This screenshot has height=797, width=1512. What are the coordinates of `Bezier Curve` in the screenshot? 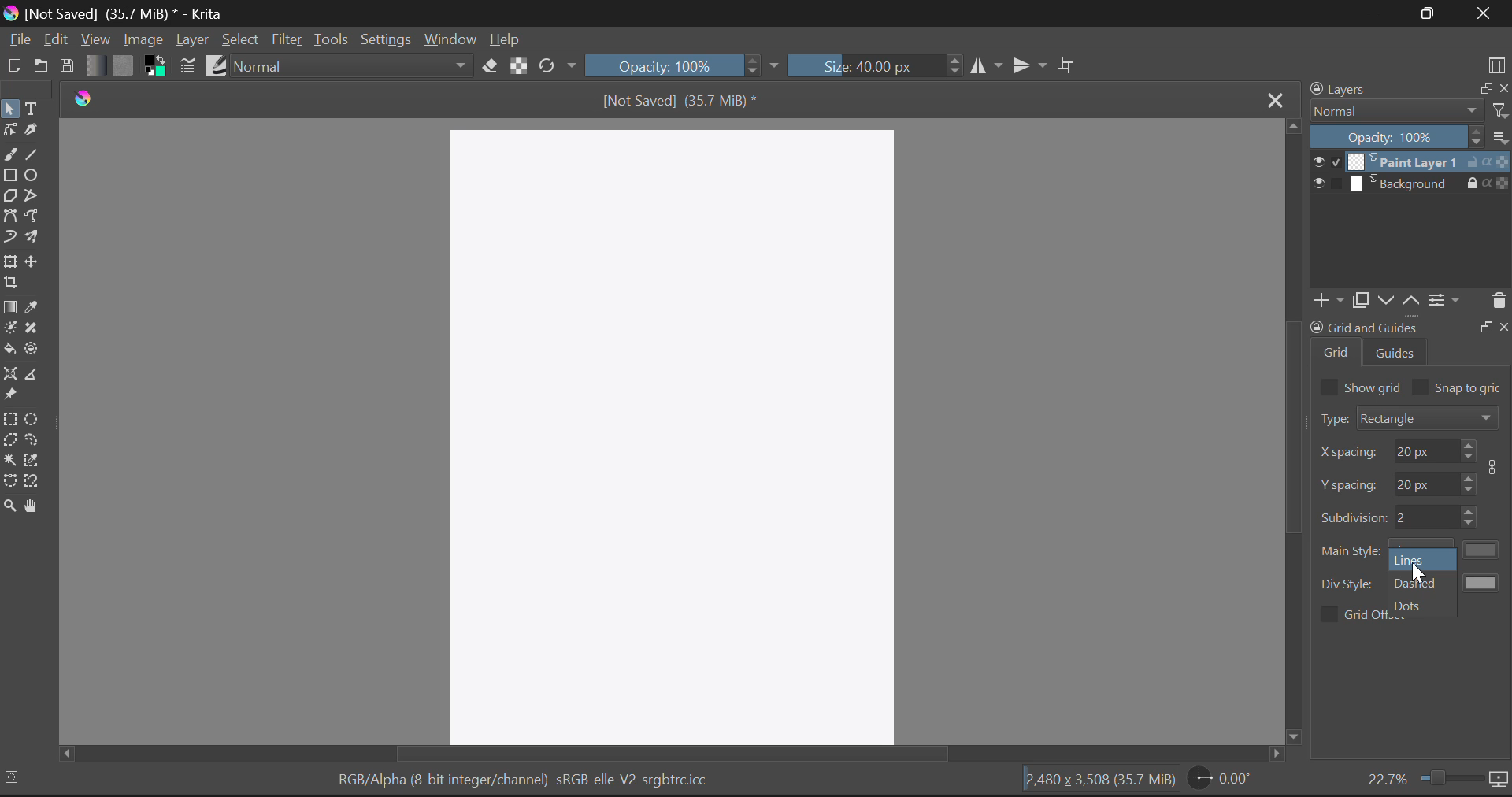 It's located at (11, 219).